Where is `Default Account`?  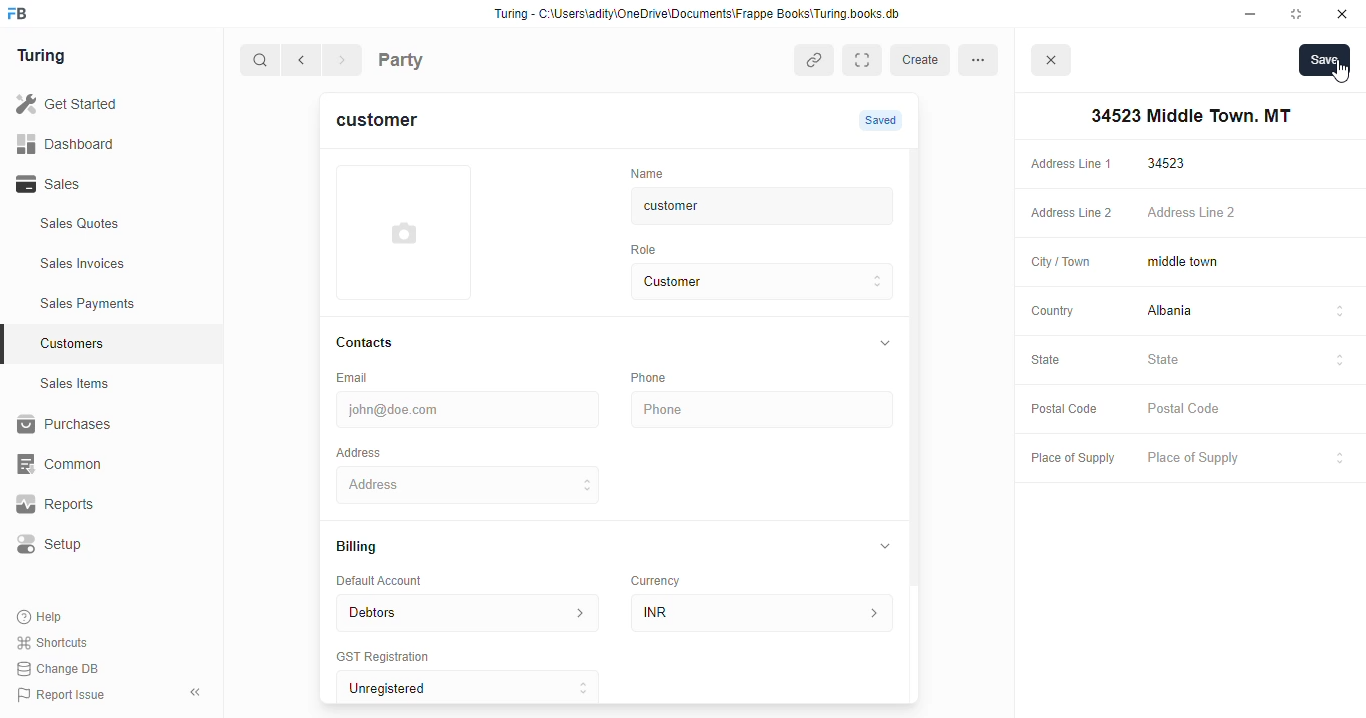 Default Account is located at coordinates (395, 580).